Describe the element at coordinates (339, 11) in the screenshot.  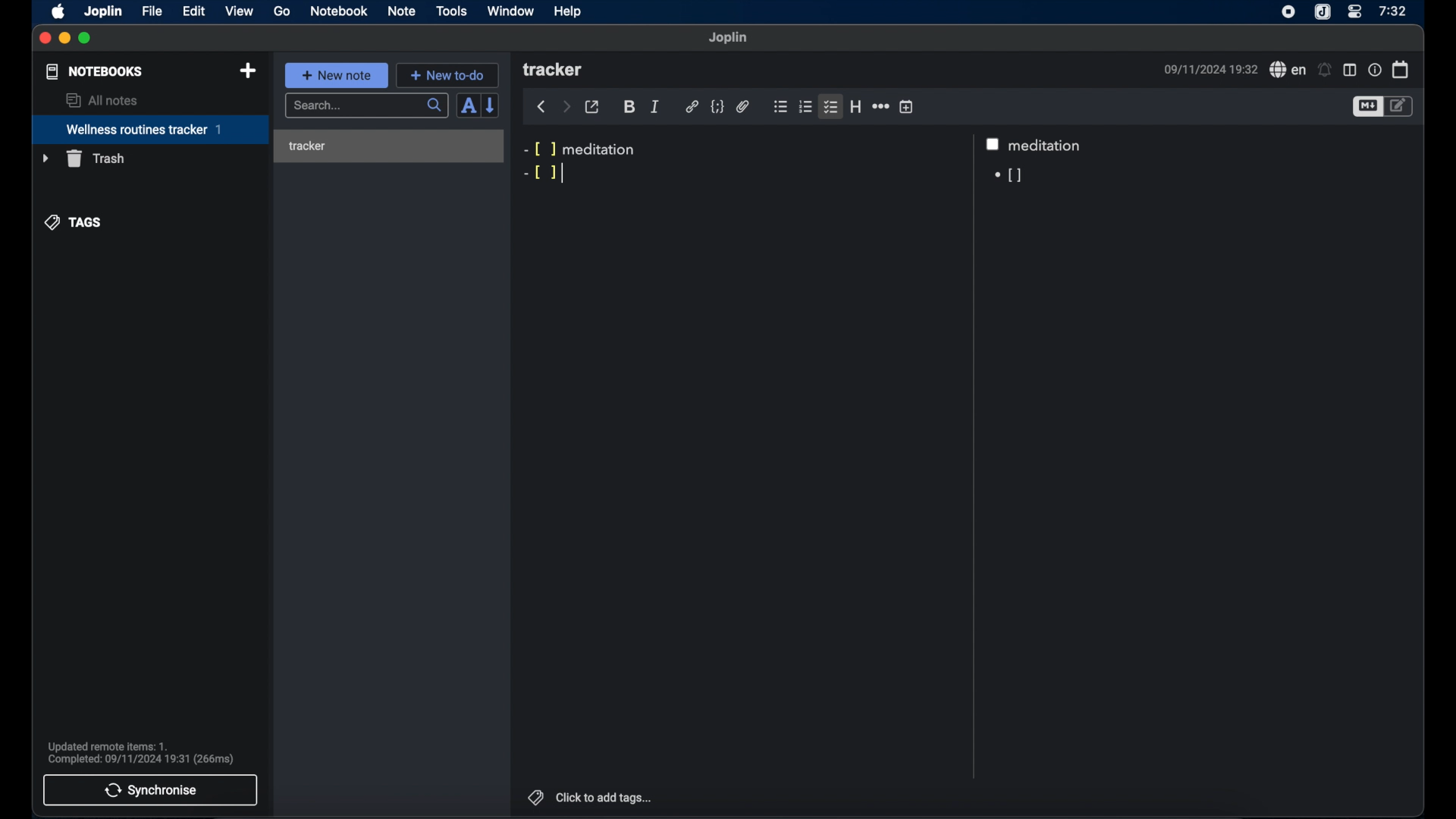
I see `notebook` at that location.